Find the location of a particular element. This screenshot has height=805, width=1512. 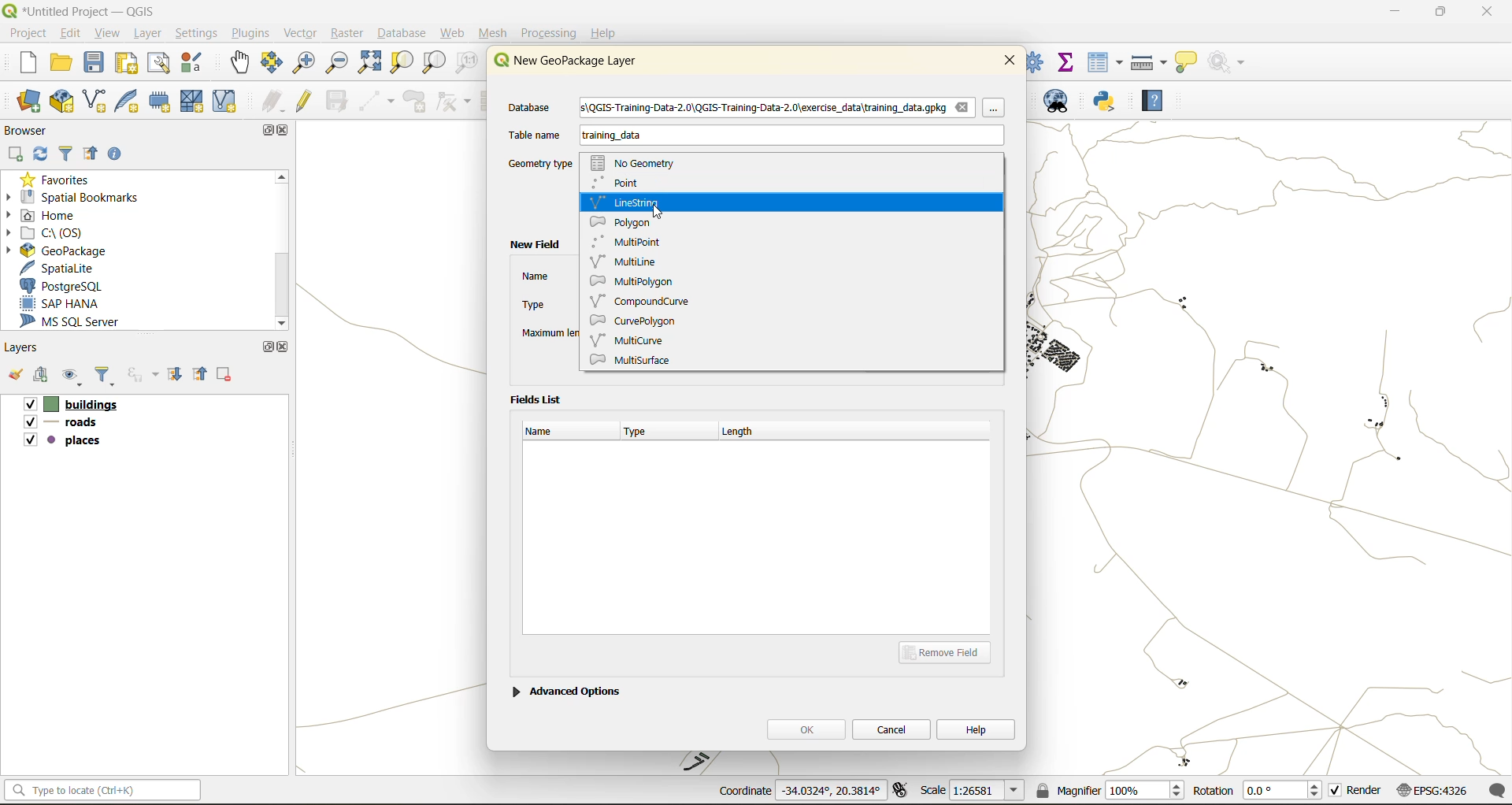

style manager is located at coordinates (194, 63).